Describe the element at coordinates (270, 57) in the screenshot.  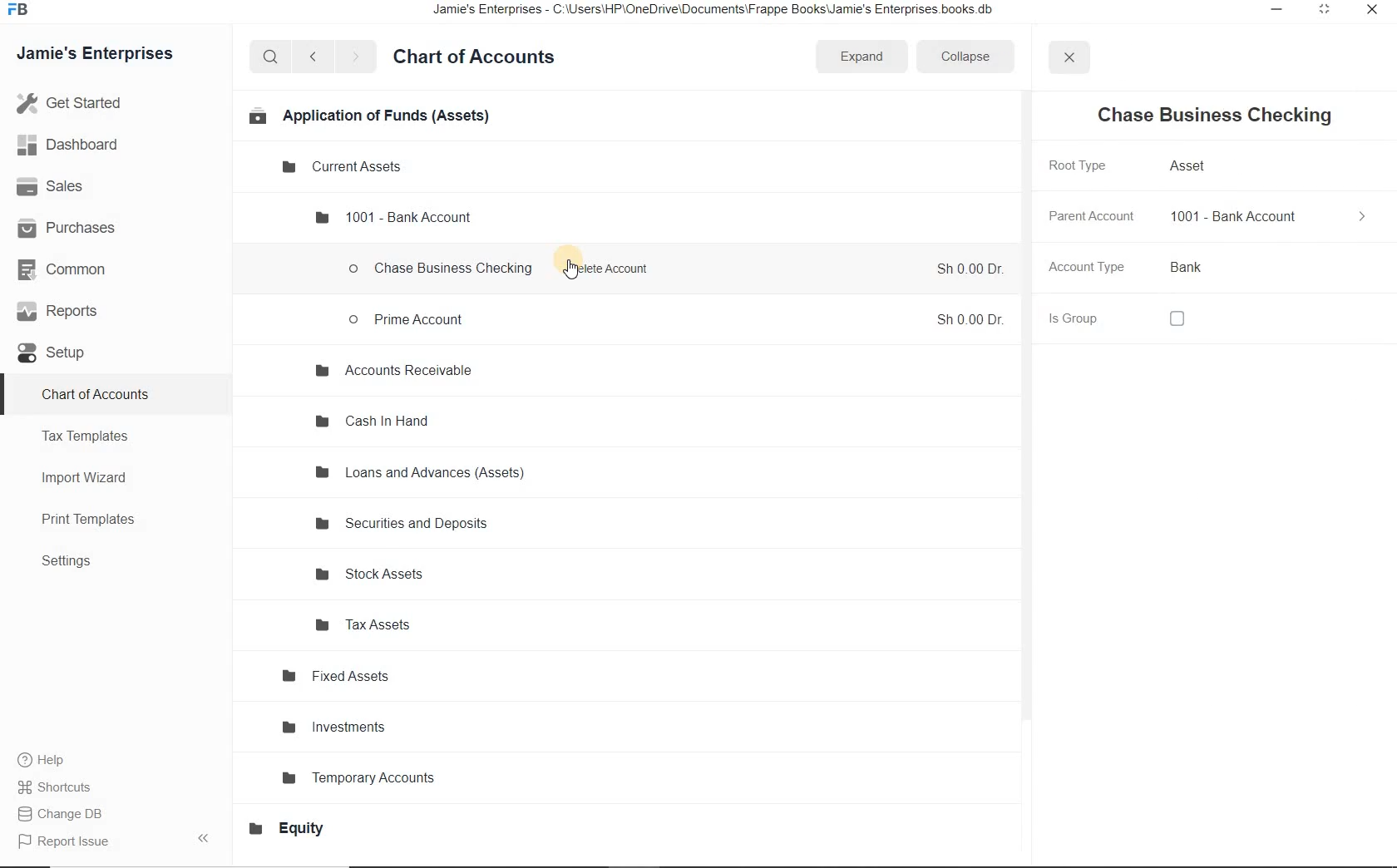
I see `search` at that location.